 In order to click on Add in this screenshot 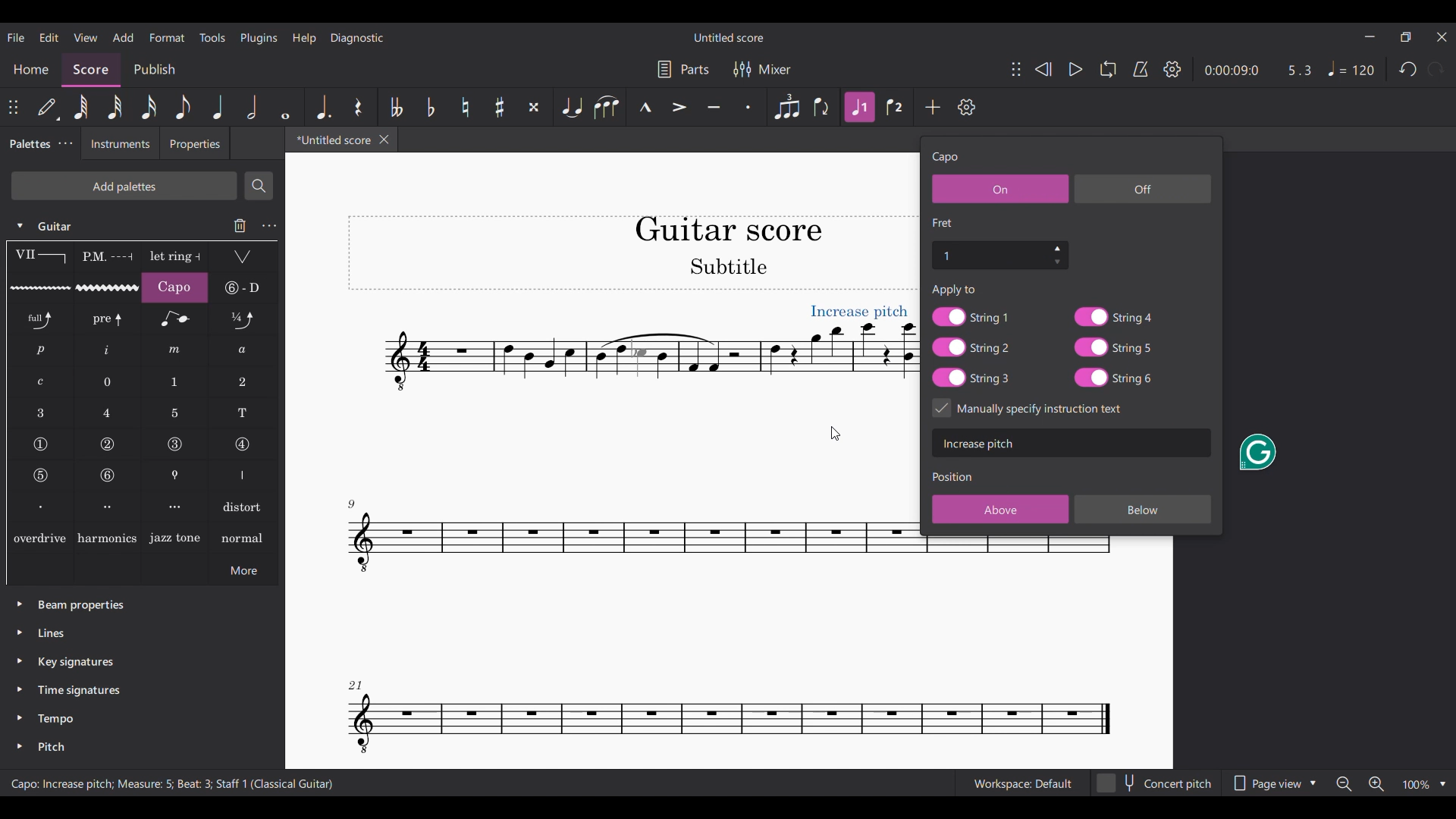, I will do `click(933, 106)`.